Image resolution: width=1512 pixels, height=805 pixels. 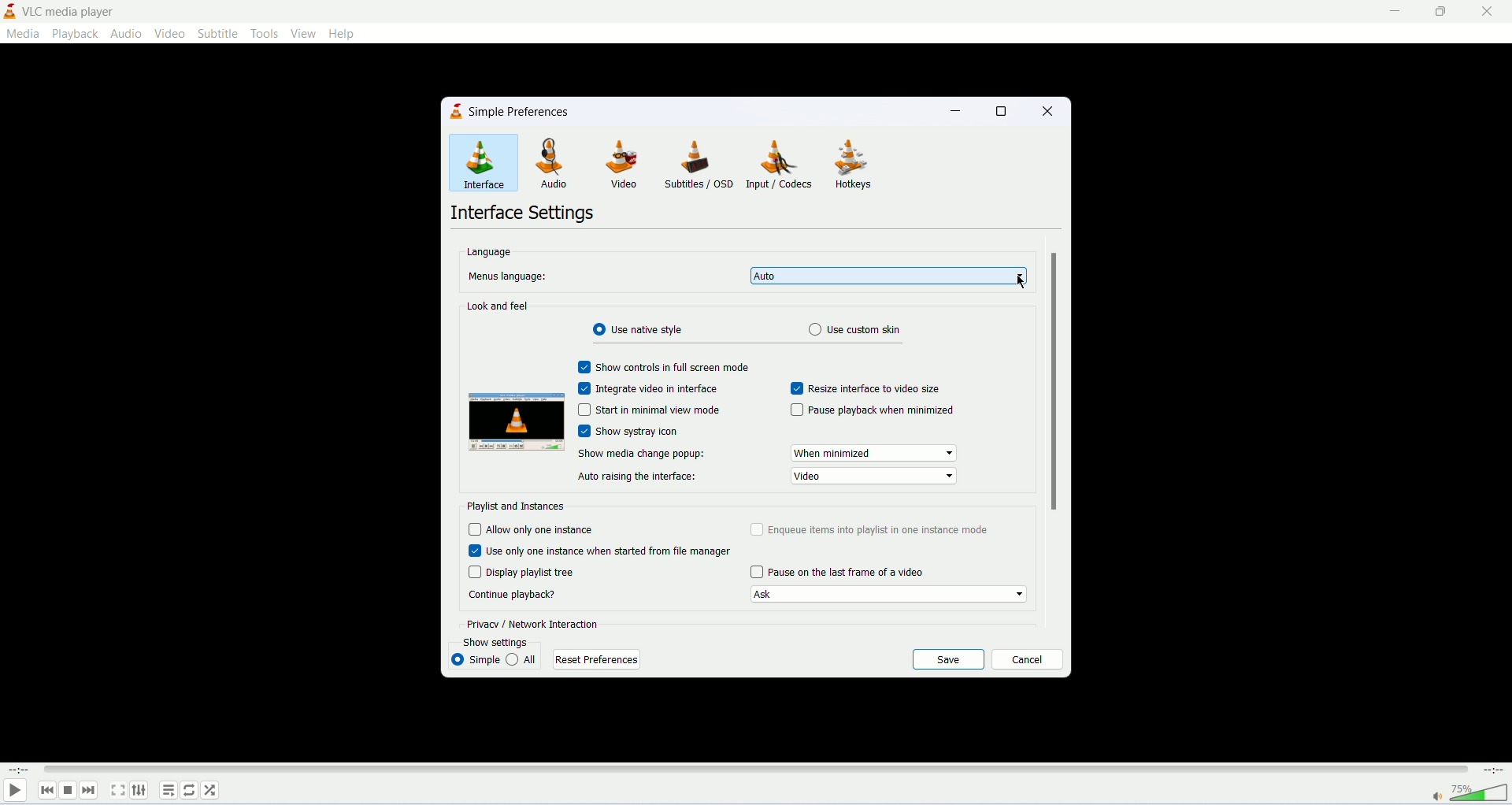 I want to click on input, so click(x=783, y=163).